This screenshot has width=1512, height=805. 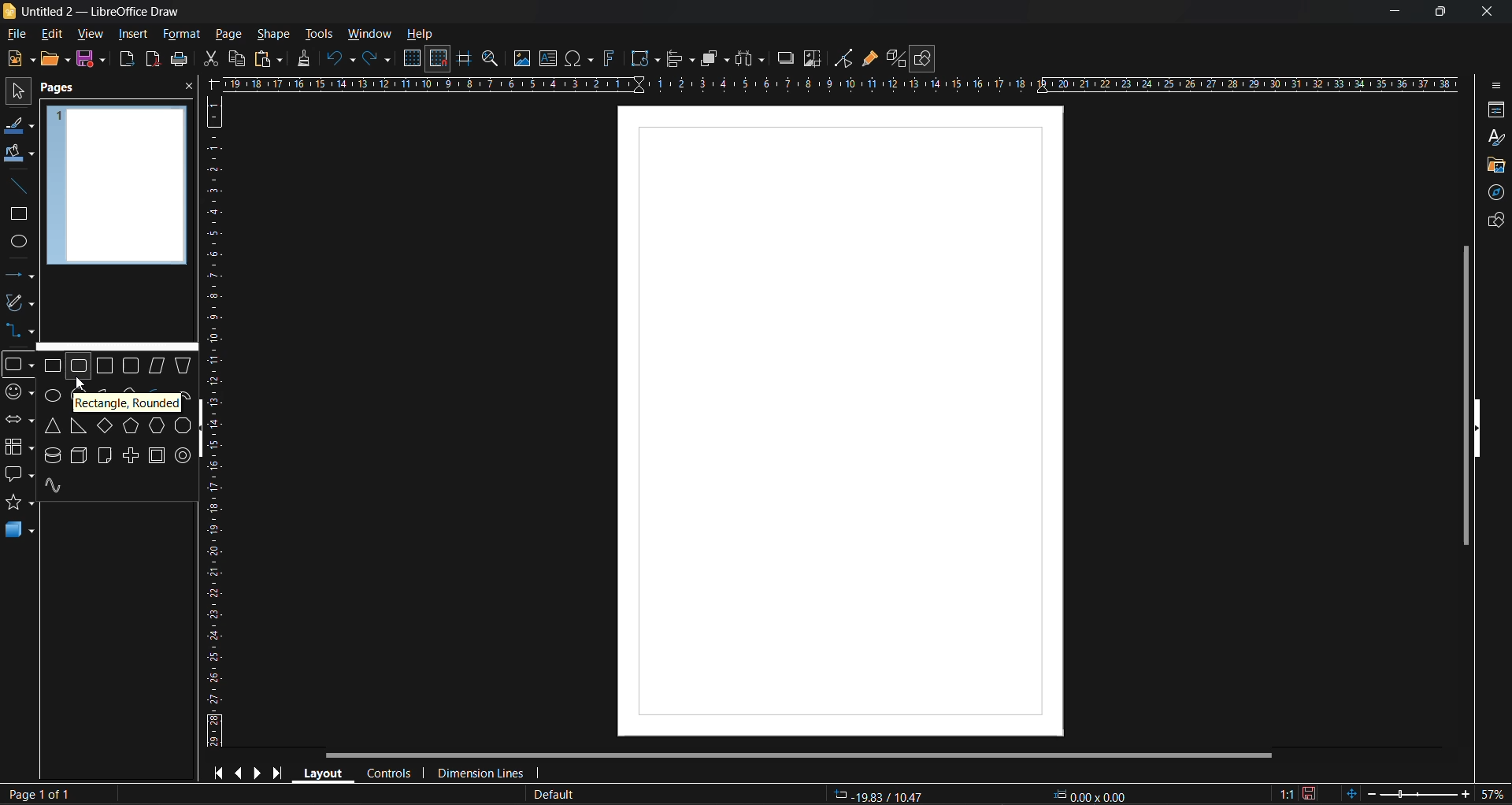 What do you see at coordinates (368, 35) in the screenshot?
I see `window` at bounding box center [368, 35].